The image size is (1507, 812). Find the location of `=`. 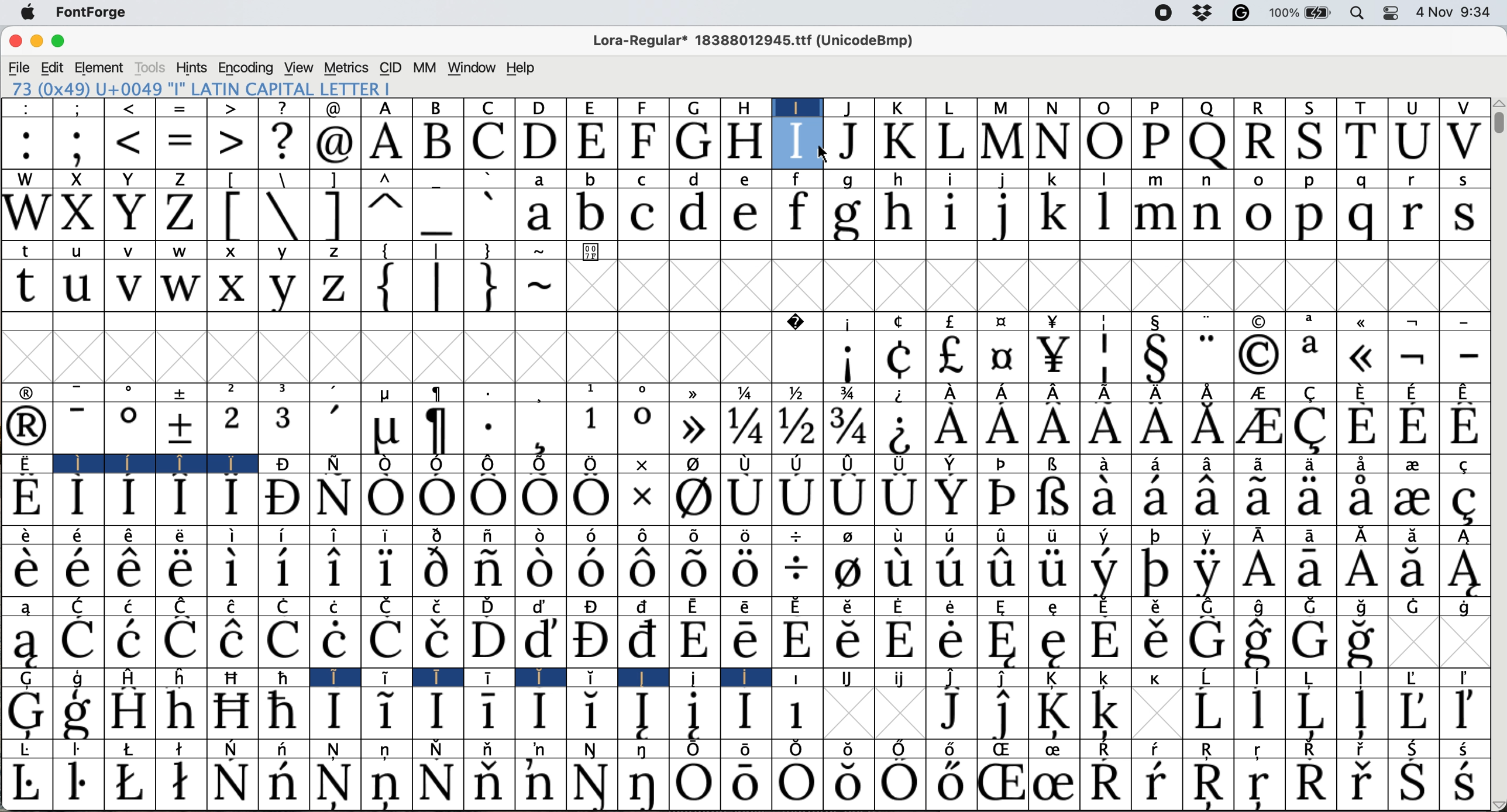

= is located at coordinates (183, 109).